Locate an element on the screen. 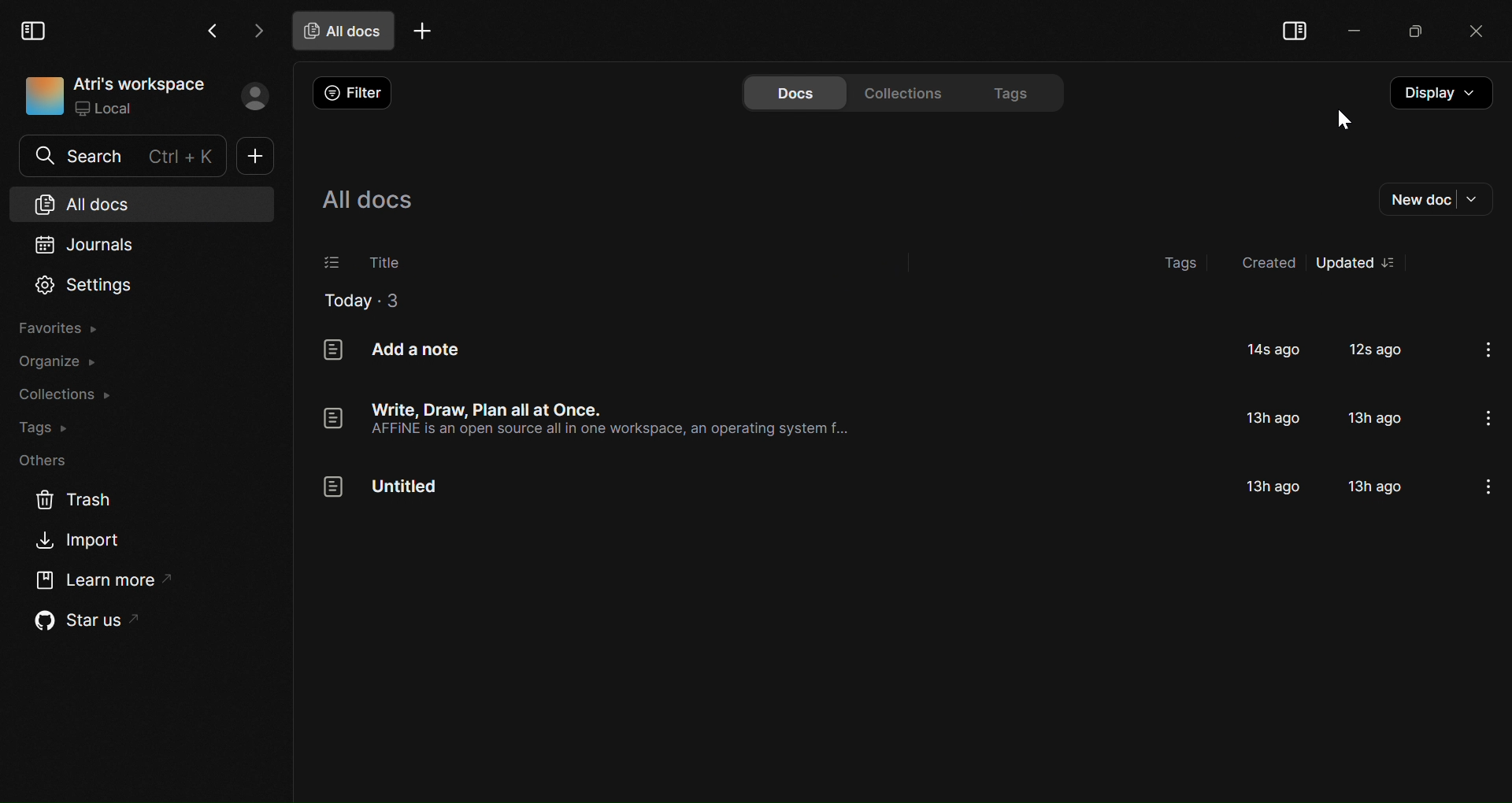  Tags is located at coordinates (43, 426).